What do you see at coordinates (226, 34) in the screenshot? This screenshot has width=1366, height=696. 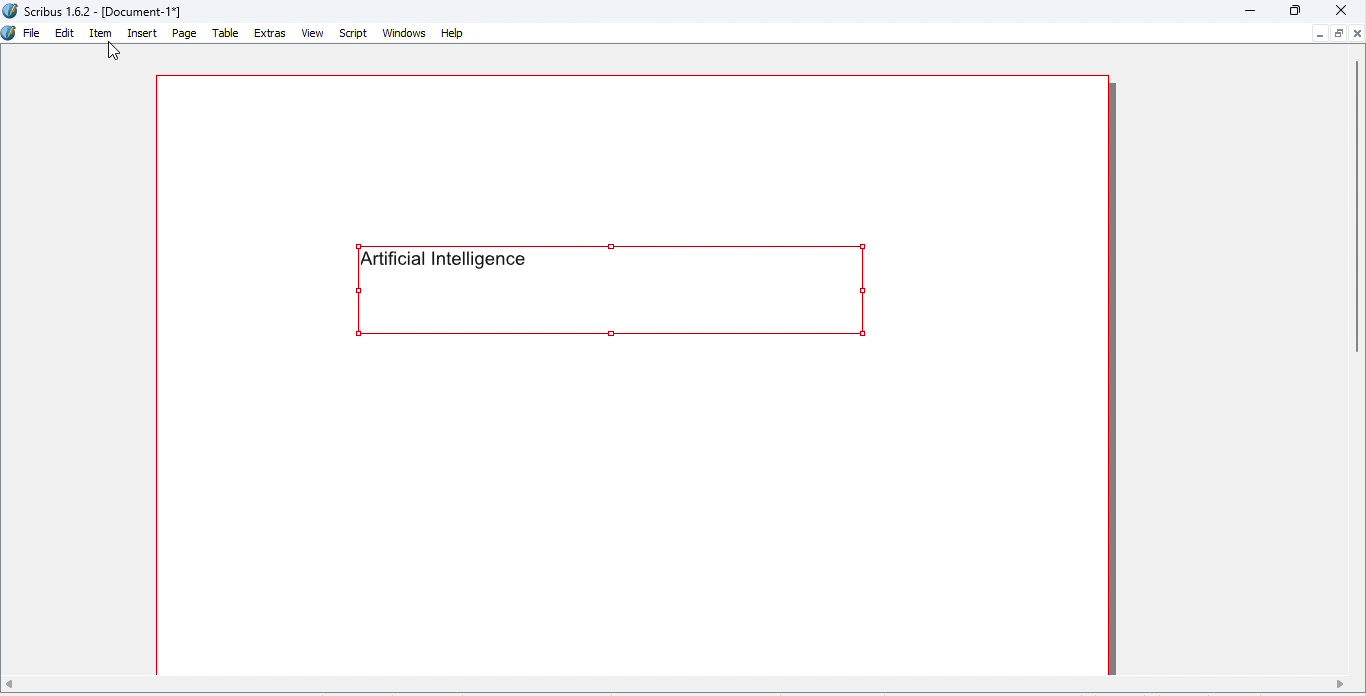 I see `Table` at bounding box center [226, 34].